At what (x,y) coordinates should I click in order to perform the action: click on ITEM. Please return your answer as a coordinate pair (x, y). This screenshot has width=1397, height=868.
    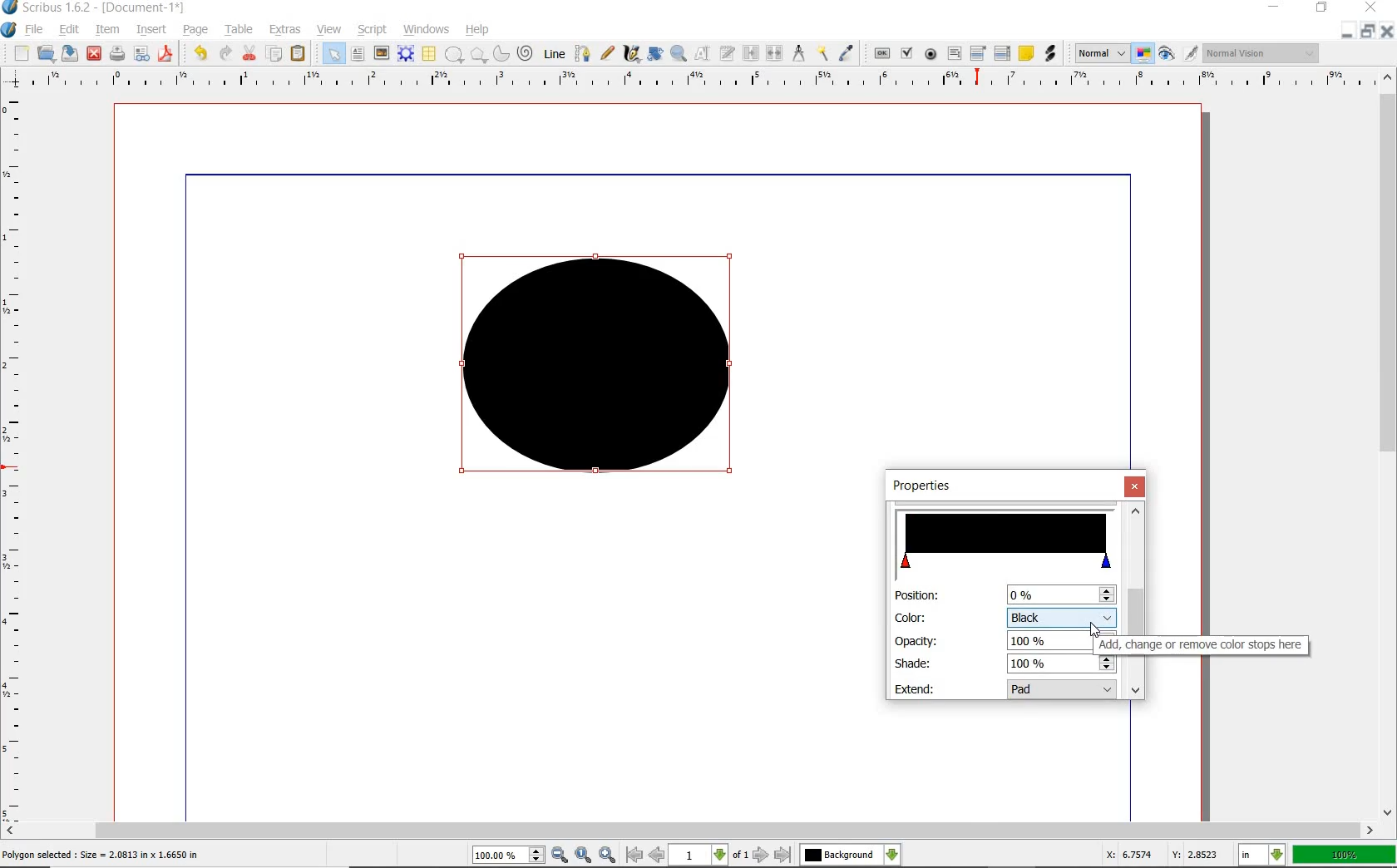
    Looking at the image, I should click on (108, 28).